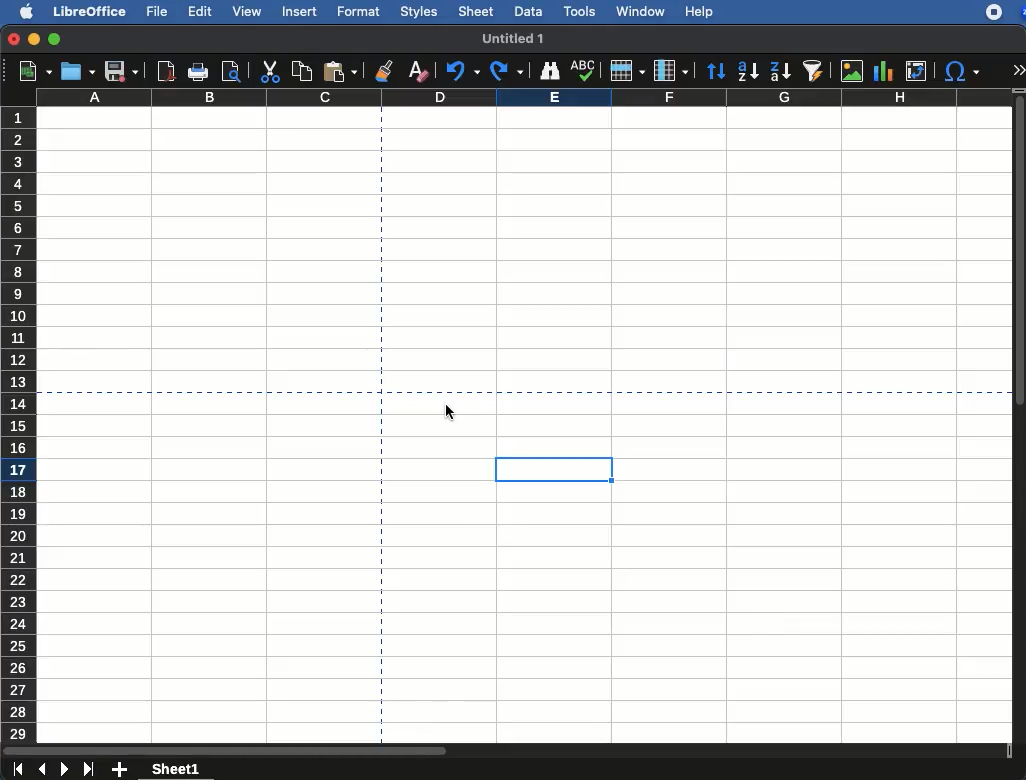  I want to click on special character, so click(962, 71).